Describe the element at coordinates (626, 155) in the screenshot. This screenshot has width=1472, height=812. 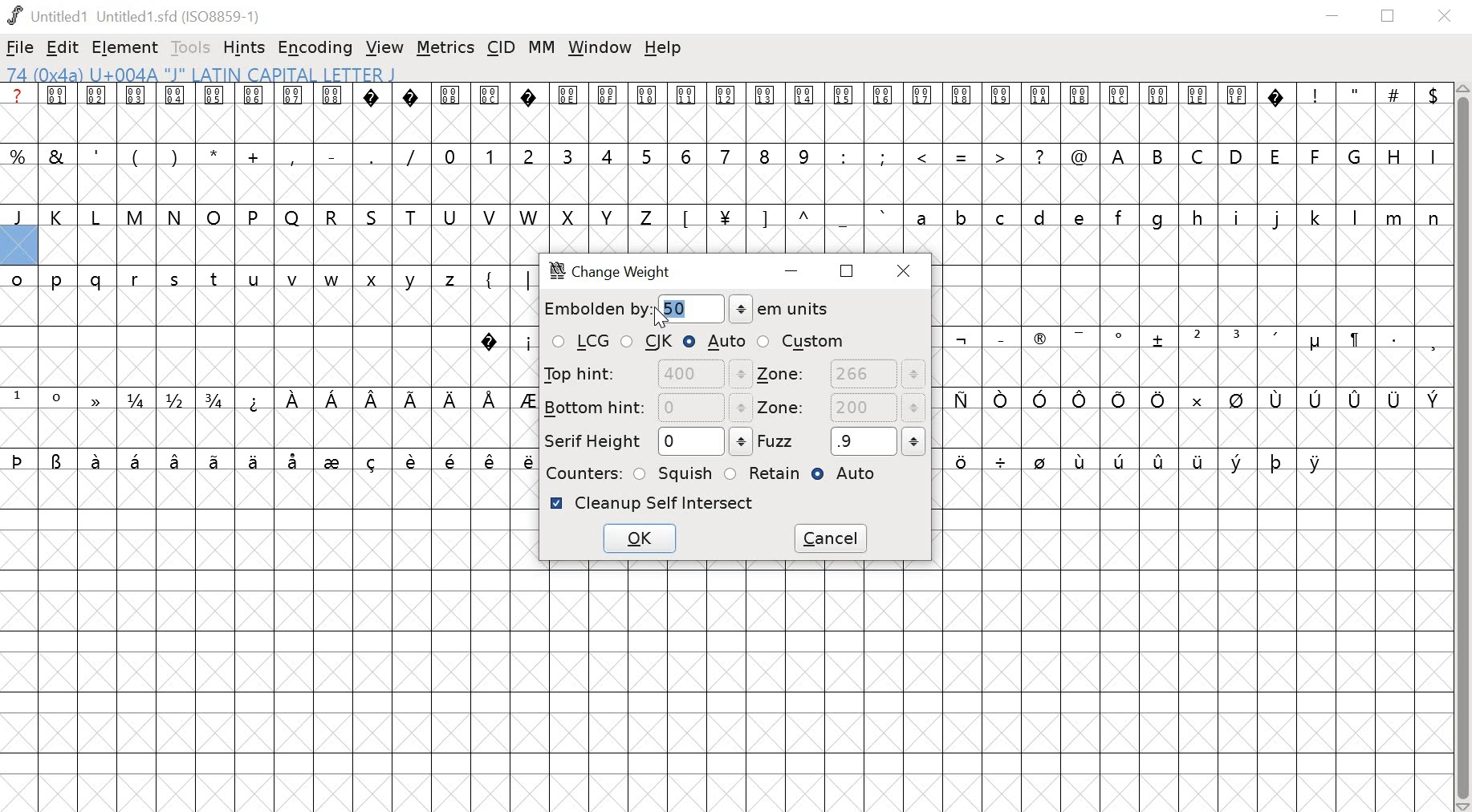
I see `numbers` at that location.